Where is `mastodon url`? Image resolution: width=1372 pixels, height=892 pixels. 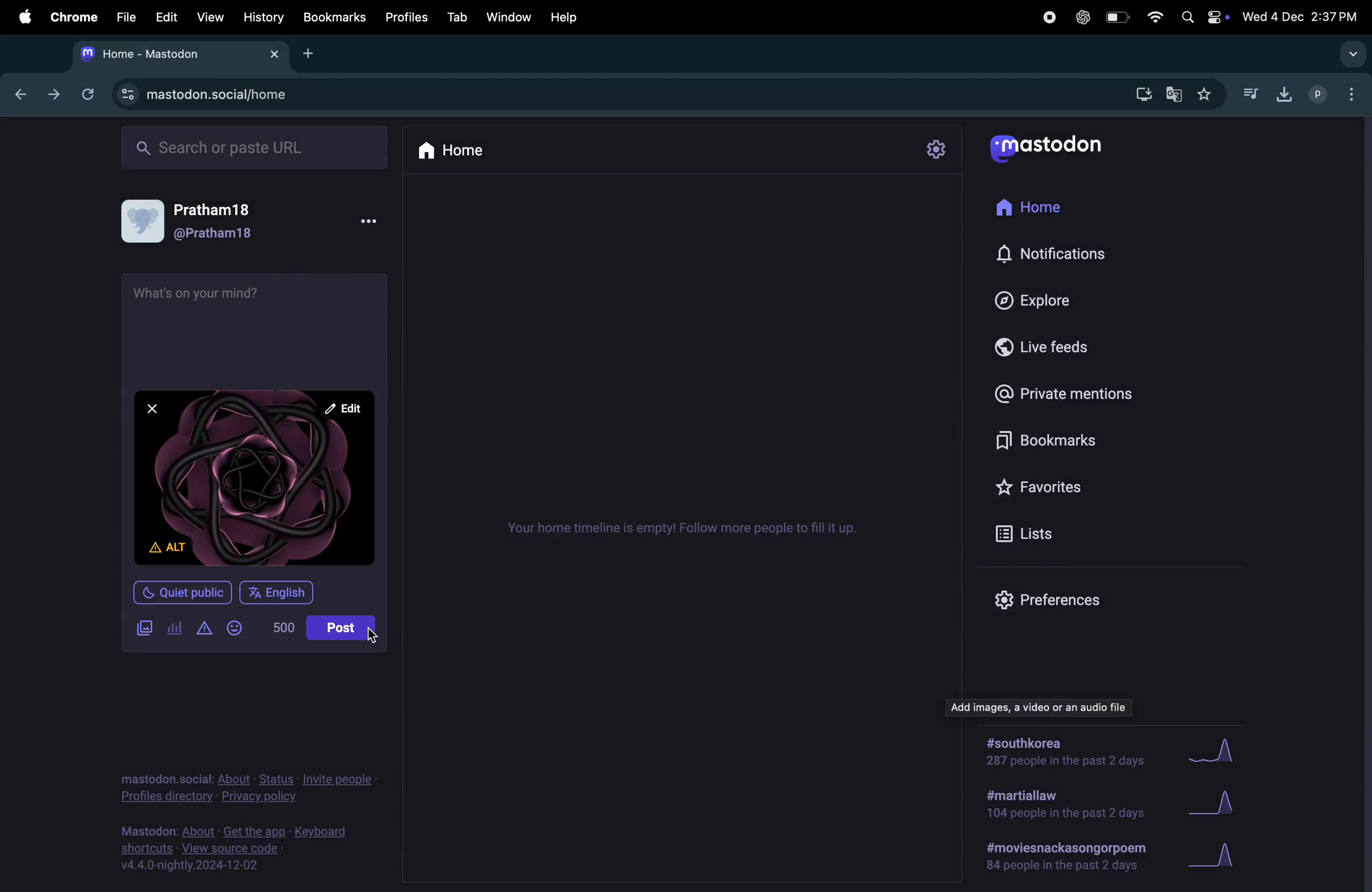
mastodon url is located at coordinates (208, 95).